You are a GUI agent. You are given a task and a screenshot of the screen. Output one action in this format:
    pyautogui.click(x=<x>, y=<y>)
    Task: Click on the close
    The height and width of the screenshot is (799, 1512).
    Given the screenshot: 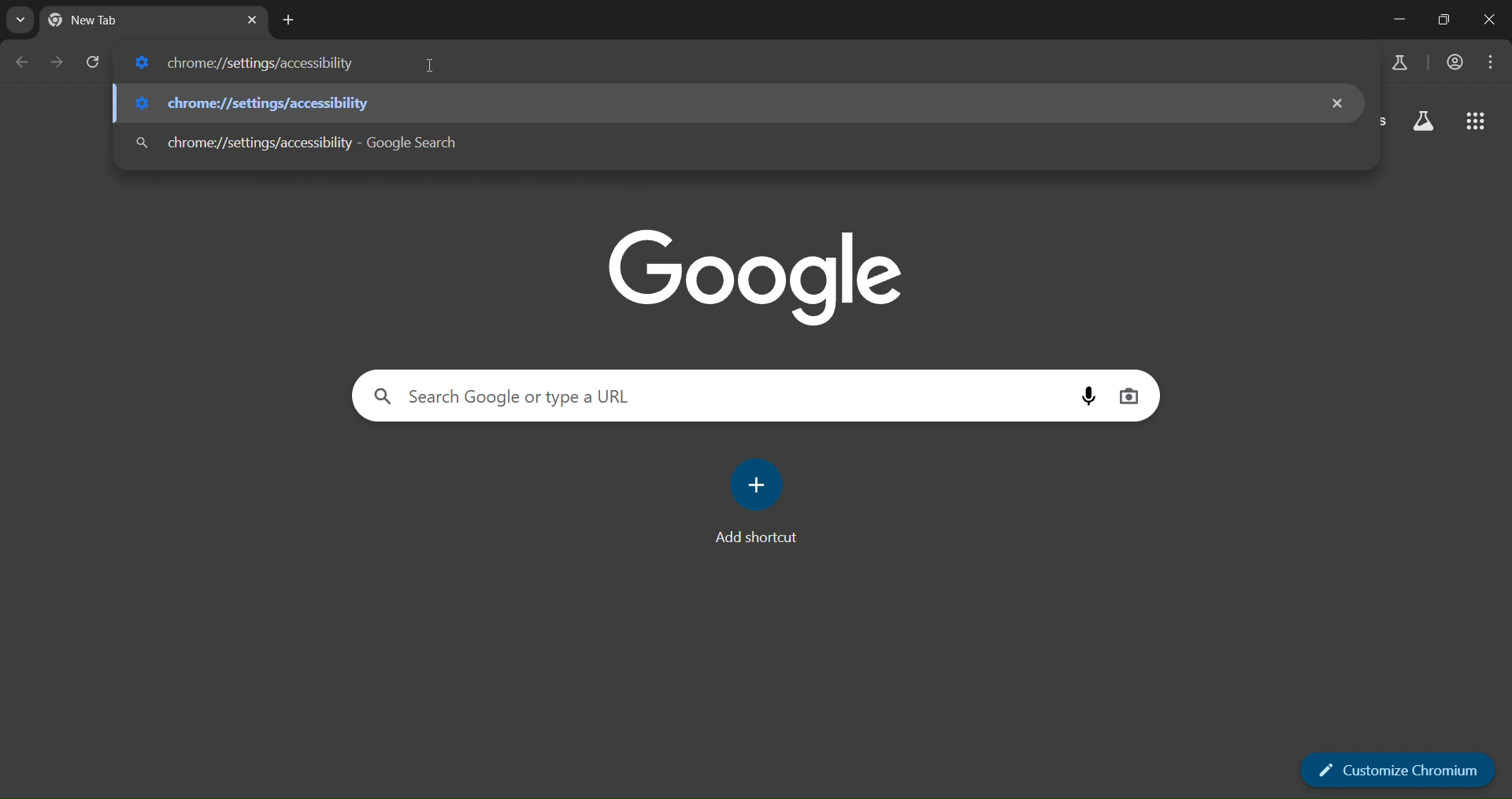 What is the action you would take?
    pyautogui.click(x=1492, y=19)
    